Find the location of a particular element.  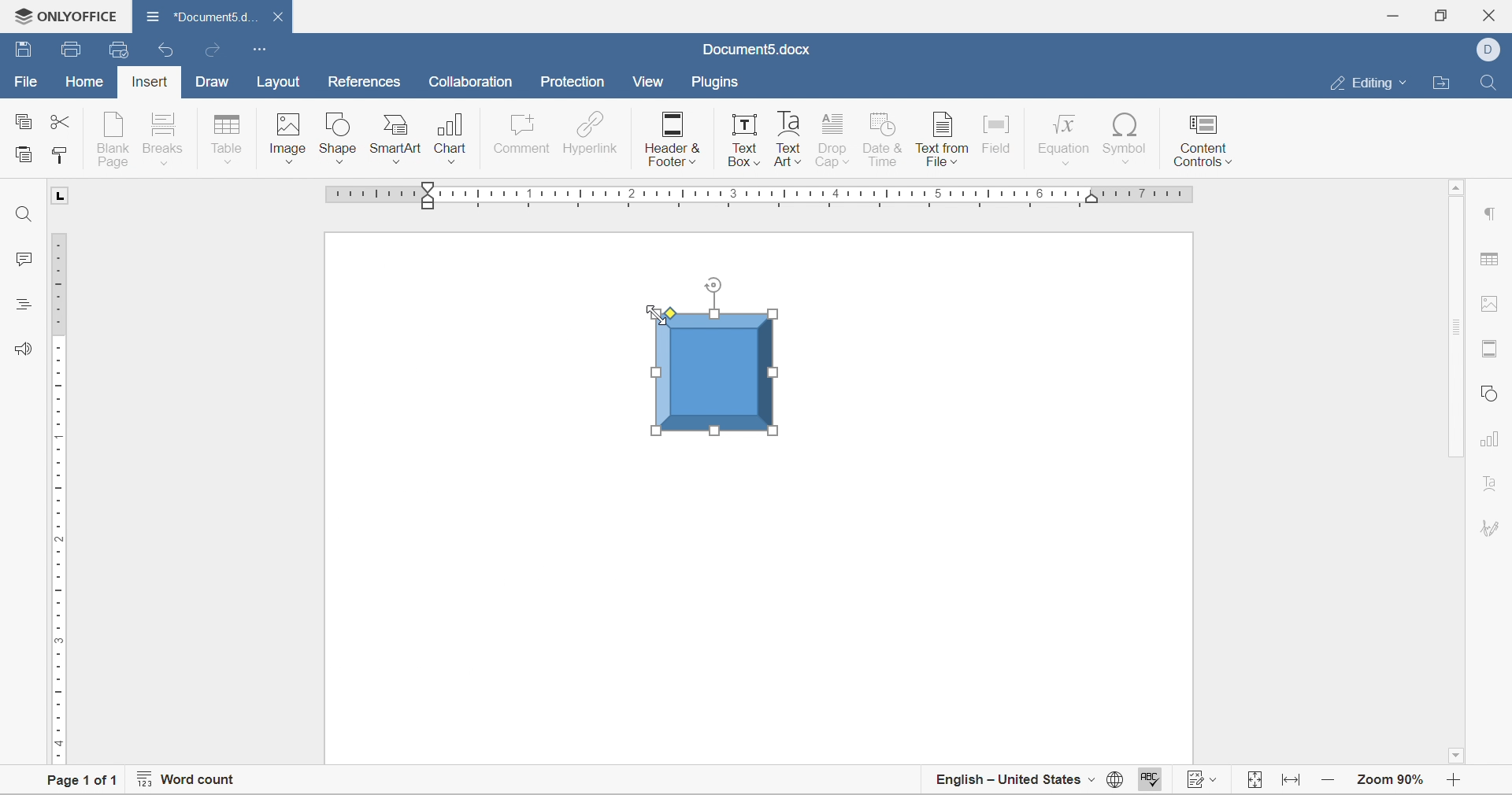

content controls is located at coordinates (1203, 140).